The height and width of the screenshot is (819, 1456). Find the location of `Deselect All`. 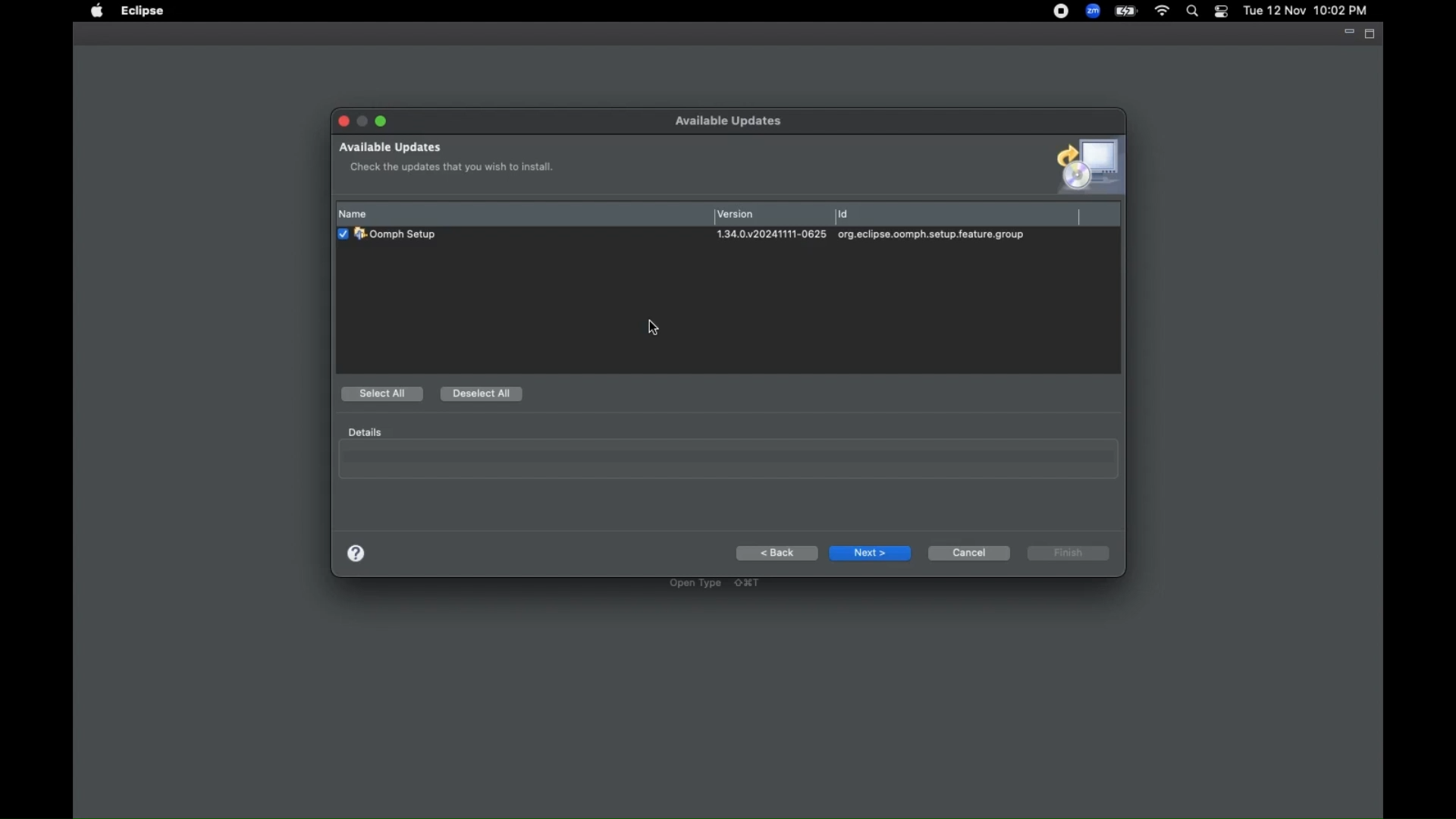

Deselect All is located at coordinates (483, 394).